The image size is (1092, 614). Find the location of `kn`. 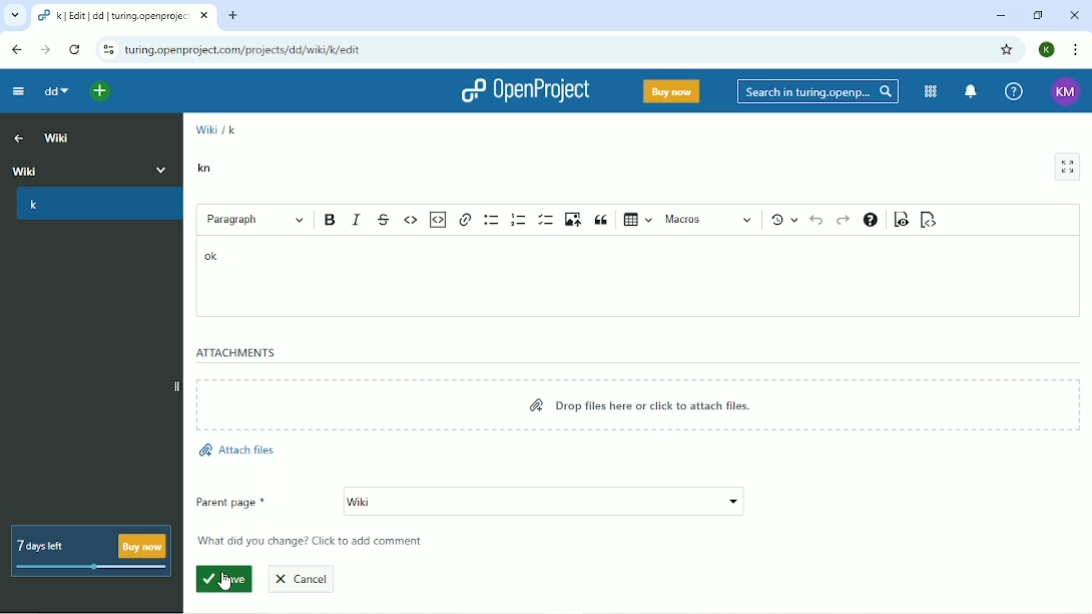

kn is located at coordinates (203, 169).